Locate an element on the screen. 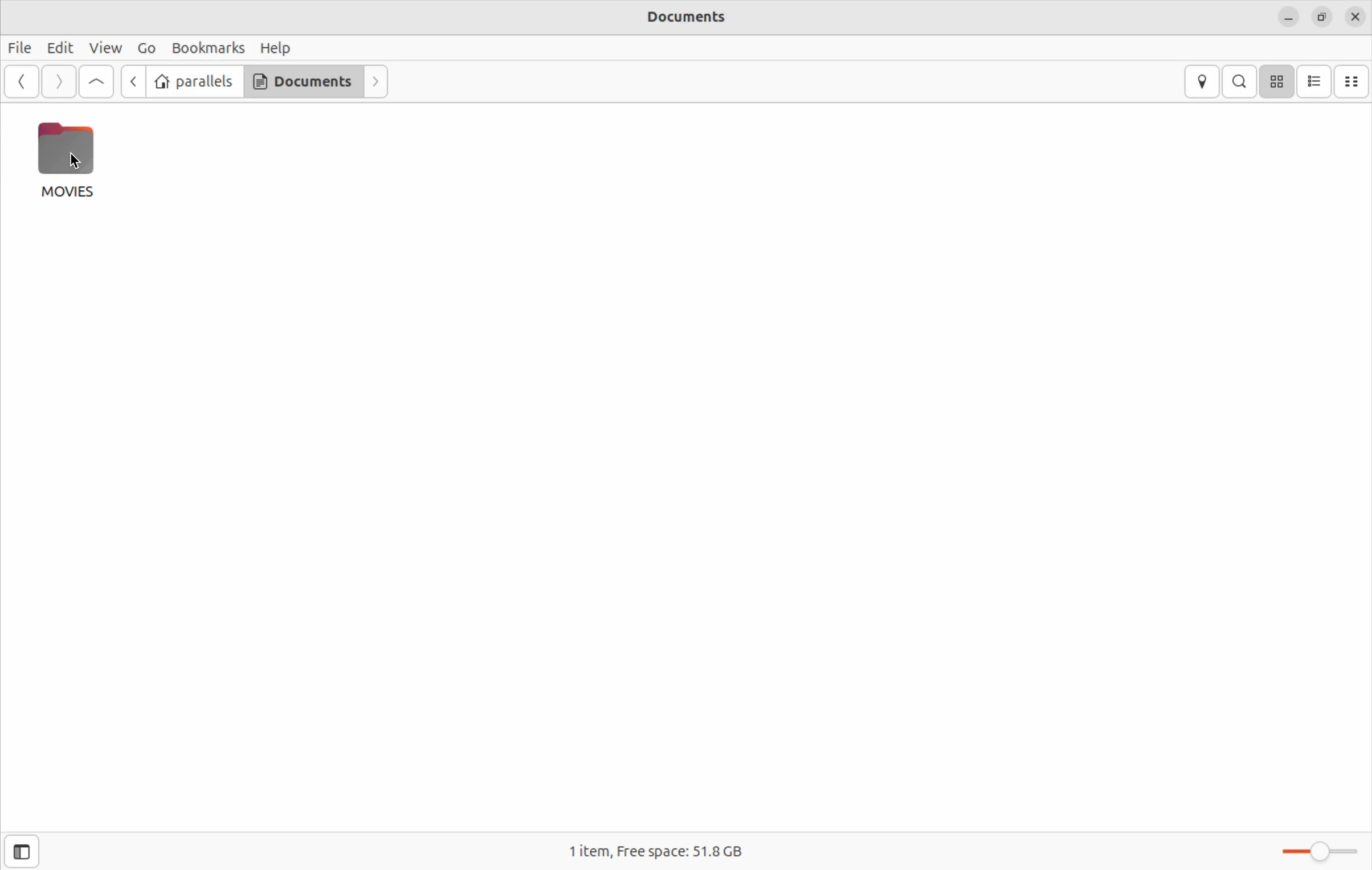 The height and width of the screenshot is (870, 1372). Edit is located at coordinates (60, 47).